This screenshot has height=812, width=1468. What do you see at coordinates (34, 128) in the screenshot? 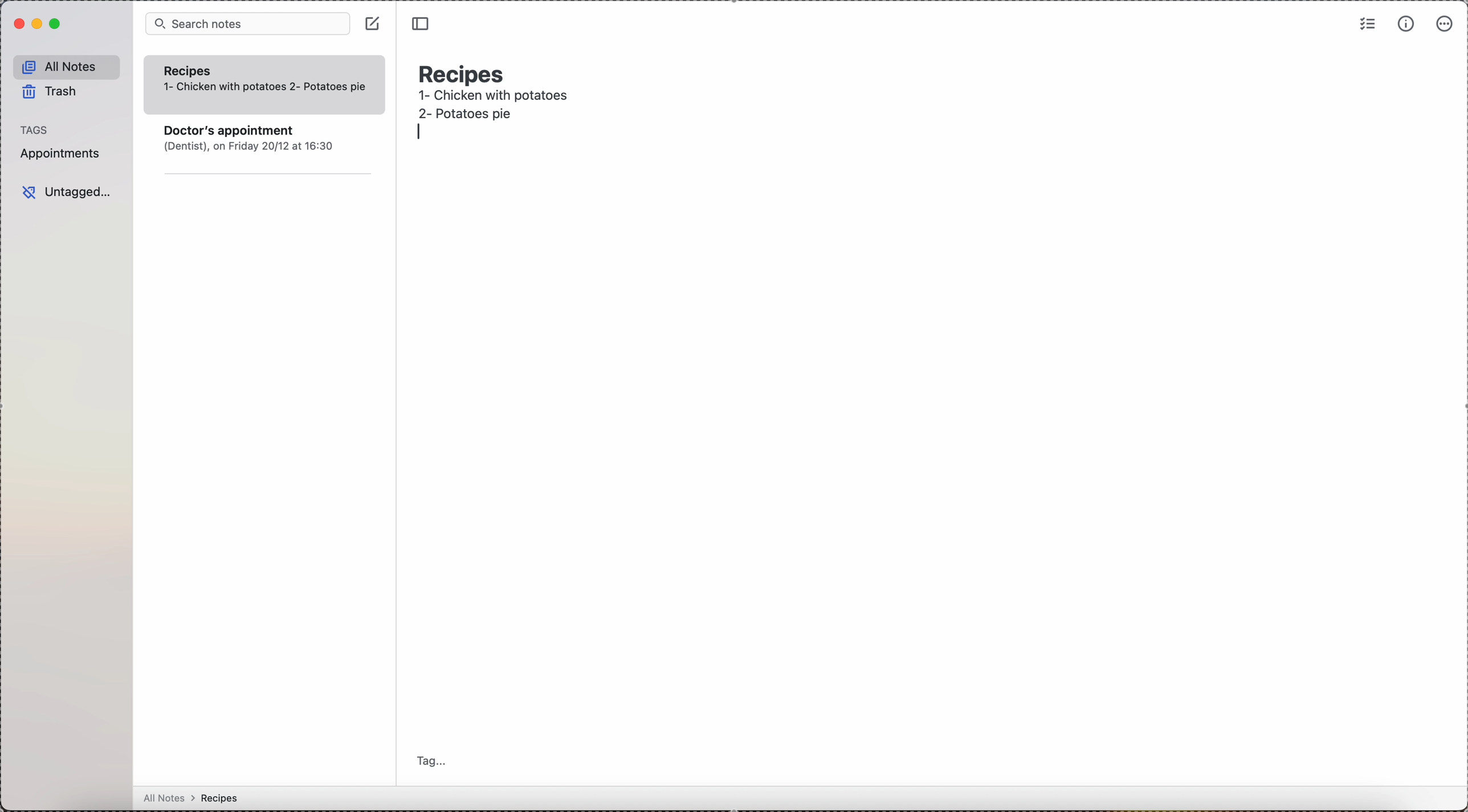
I see `tags` at bounding box center [34, 128].